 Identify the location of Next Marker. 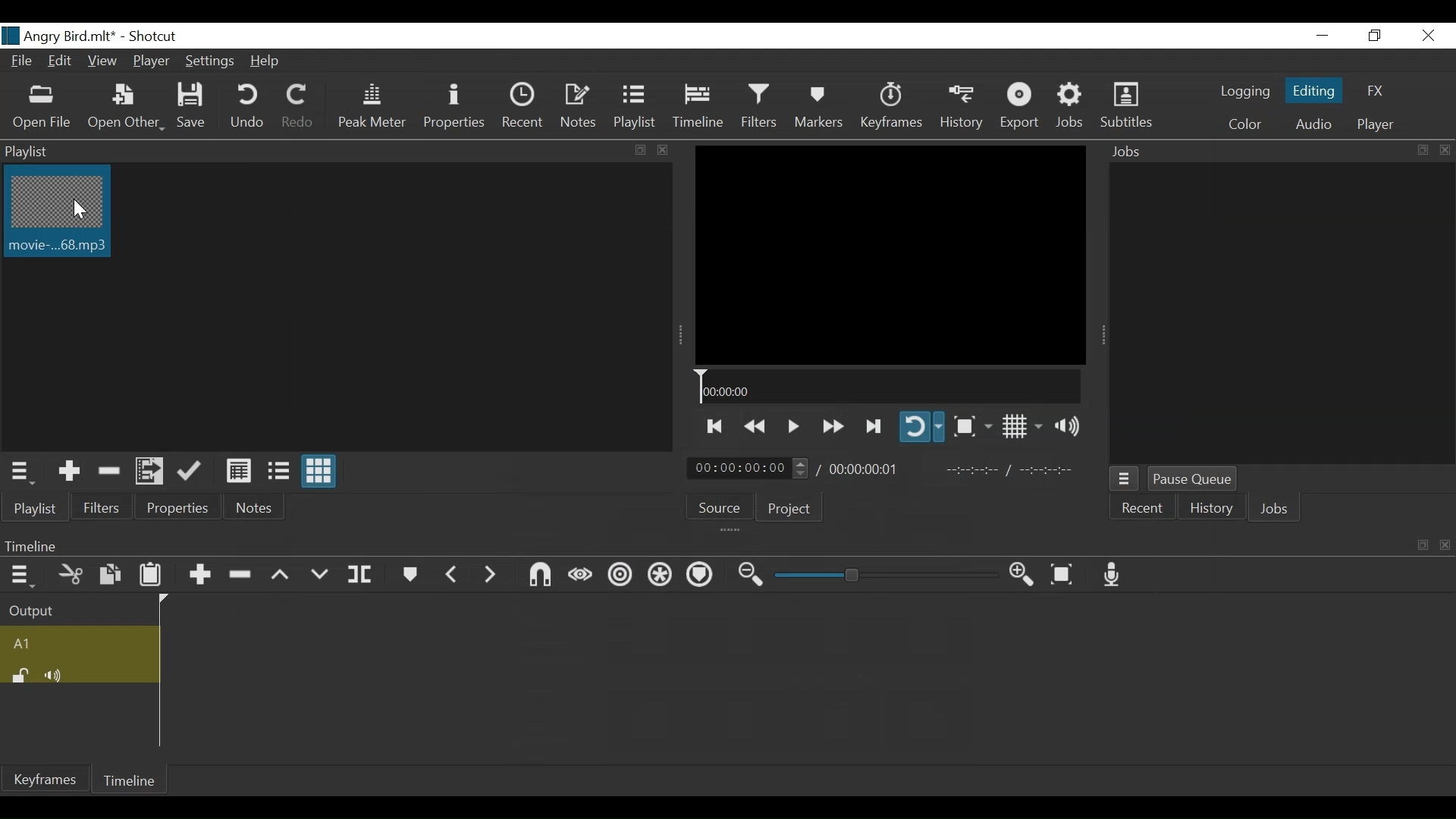
(493, 575).